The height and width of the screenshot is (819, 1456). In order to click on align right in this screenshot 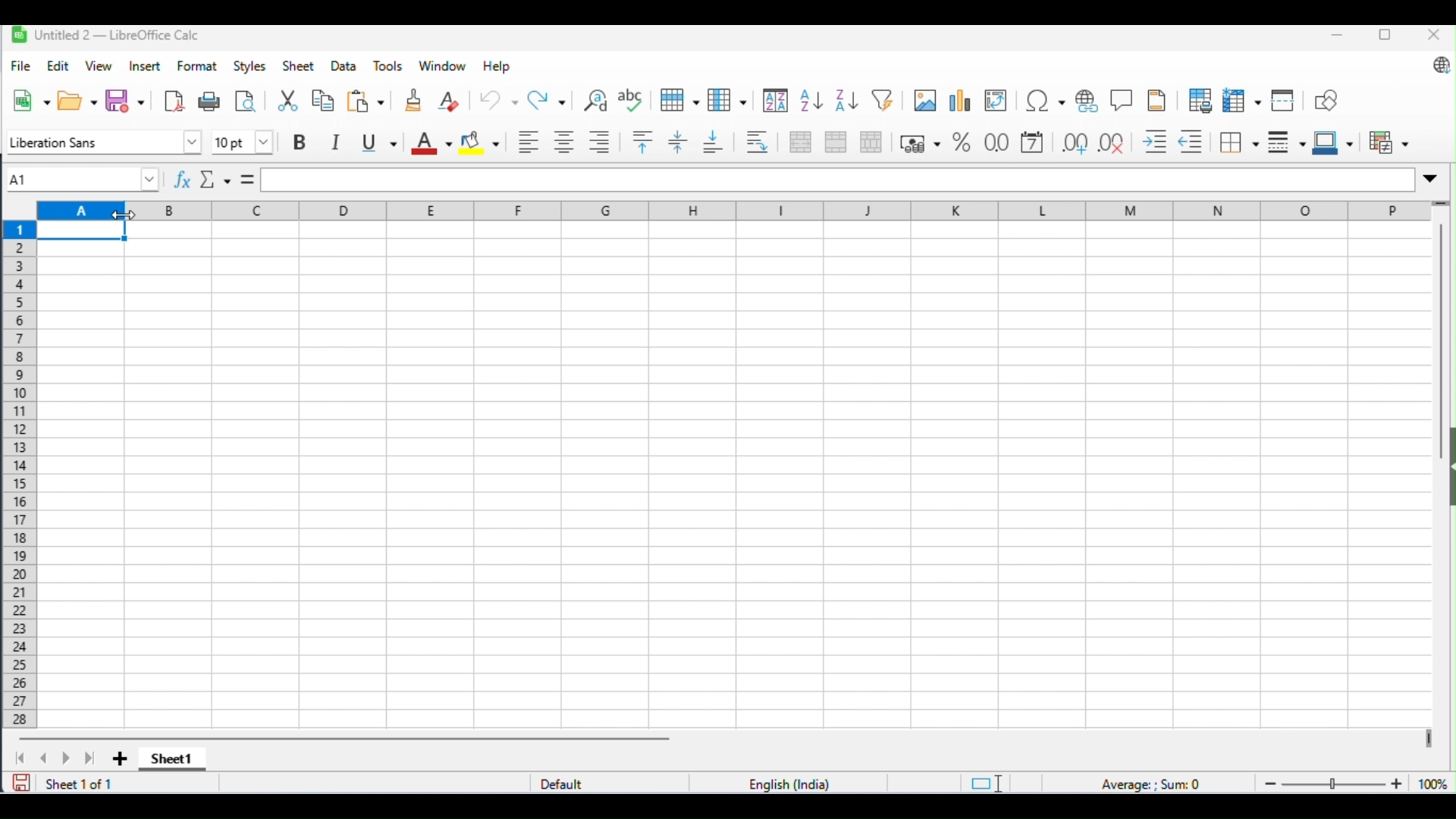, I will do `click(600, 143)`.